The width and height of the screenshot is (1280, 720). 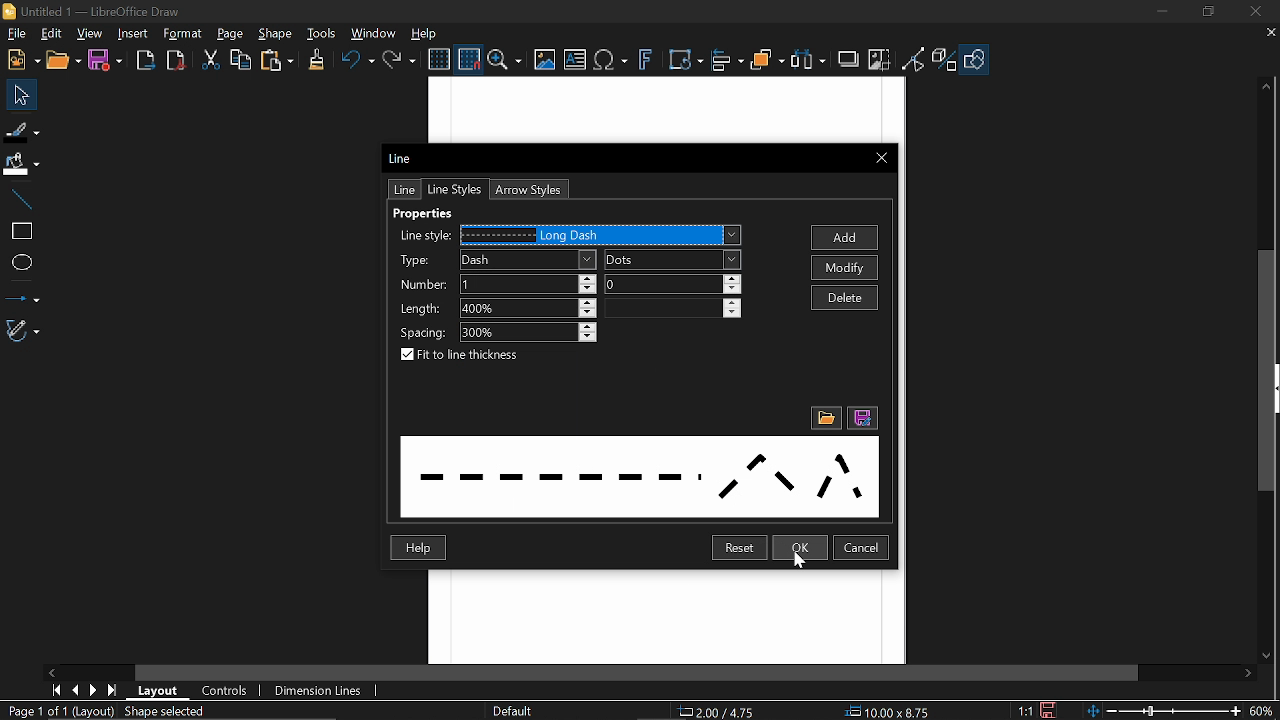 I want to click on Tools, so click(x=322, y=33).